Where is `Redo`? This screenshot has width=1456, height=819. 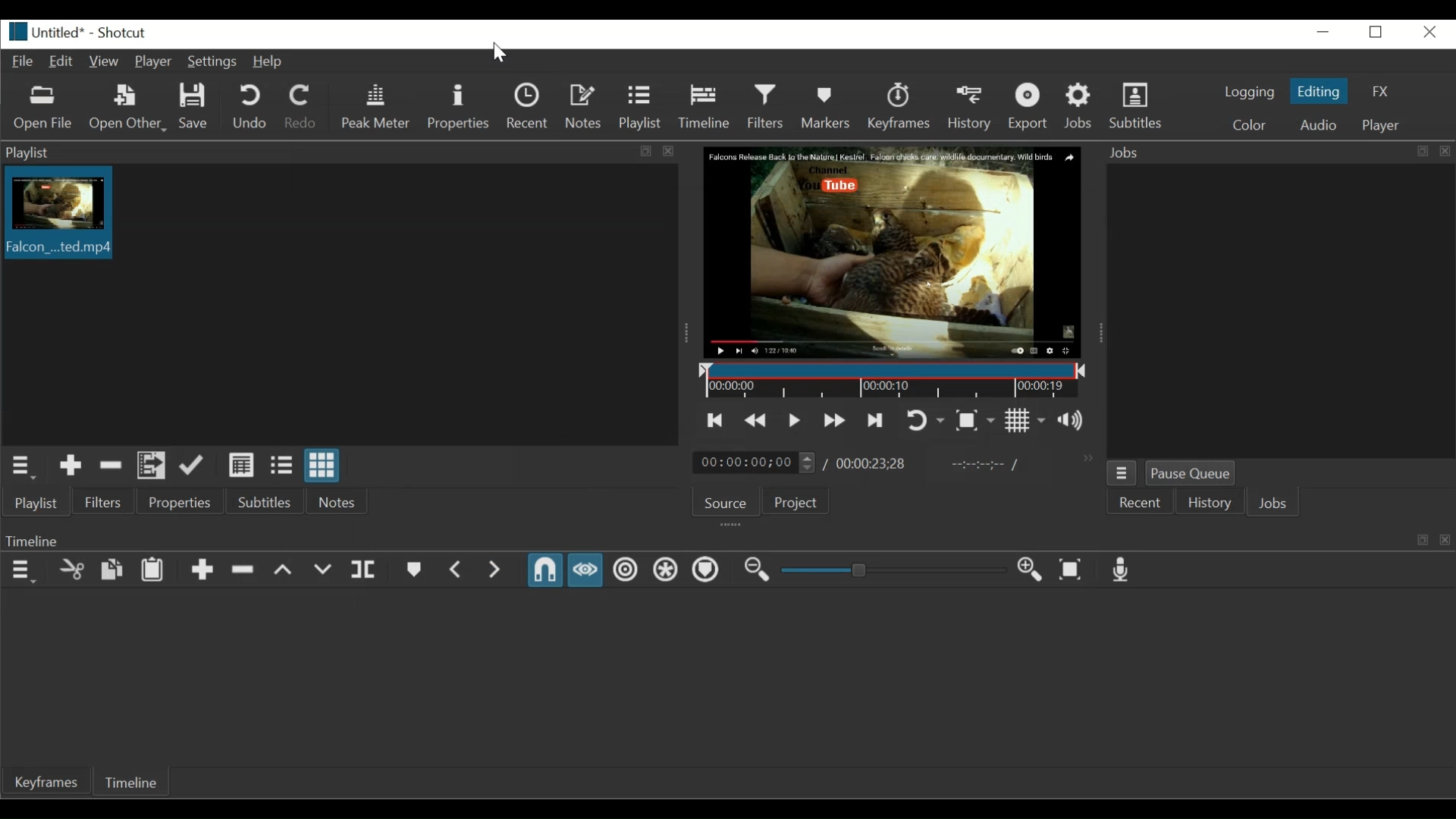 Redo is located at coordinates (301, 106).